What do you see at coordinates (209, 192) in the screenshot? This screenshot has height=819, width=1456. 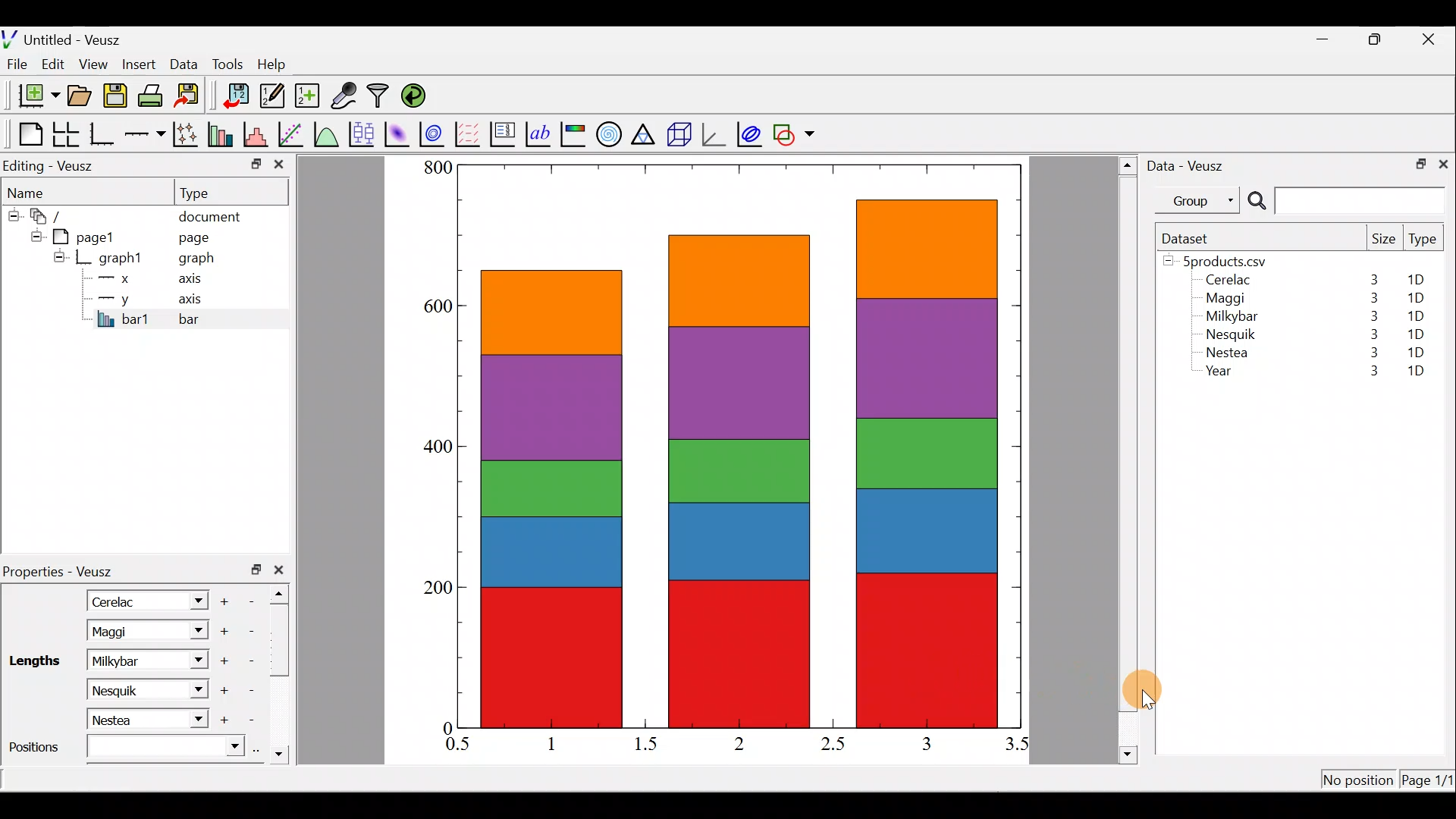 I see `Type` at bounding box center [209, 192].